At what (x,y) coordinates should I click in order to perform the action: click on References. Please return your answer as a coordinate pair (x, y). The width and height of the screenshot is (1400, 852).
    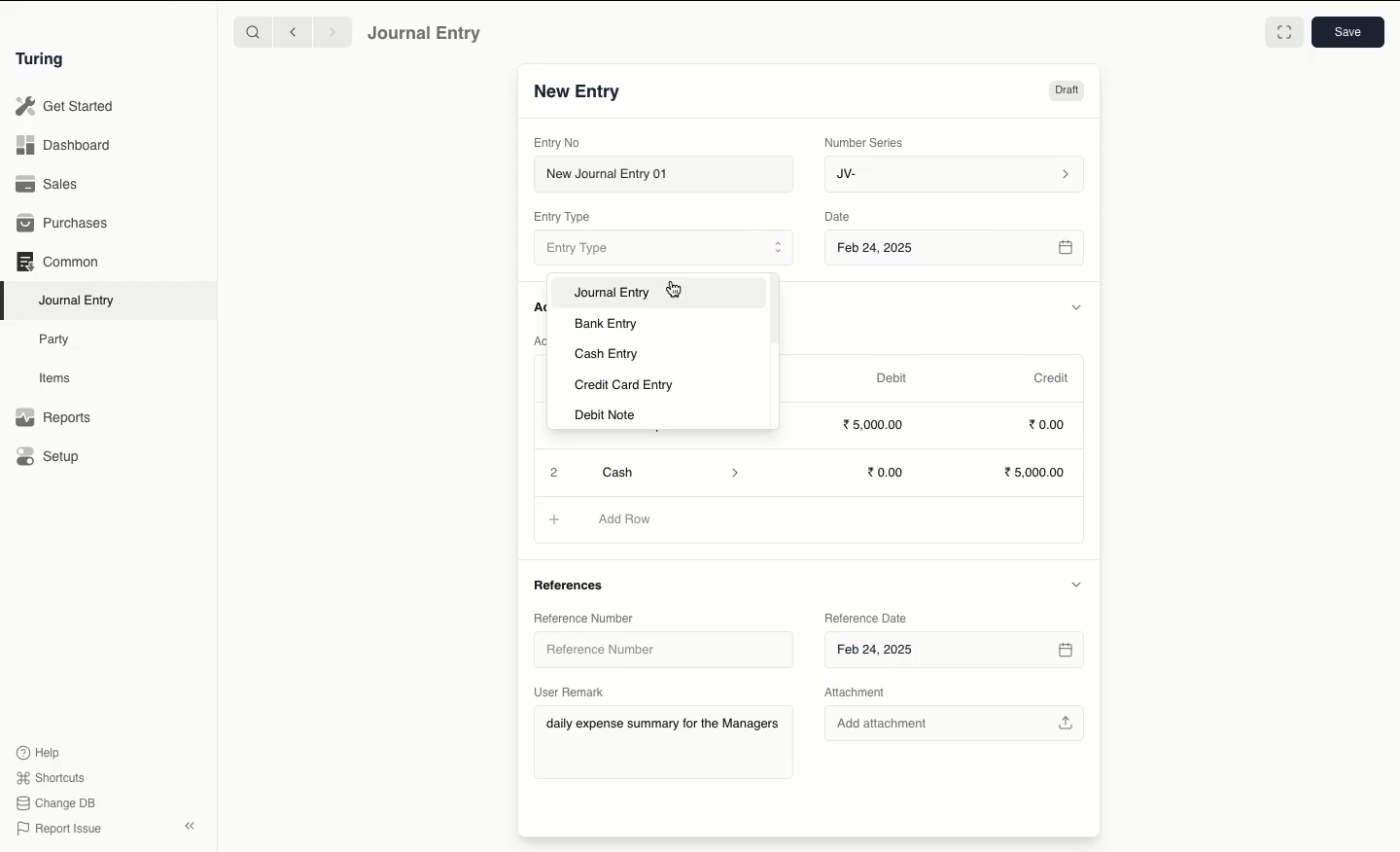
    Looking at the image, I should click on (576, 584).